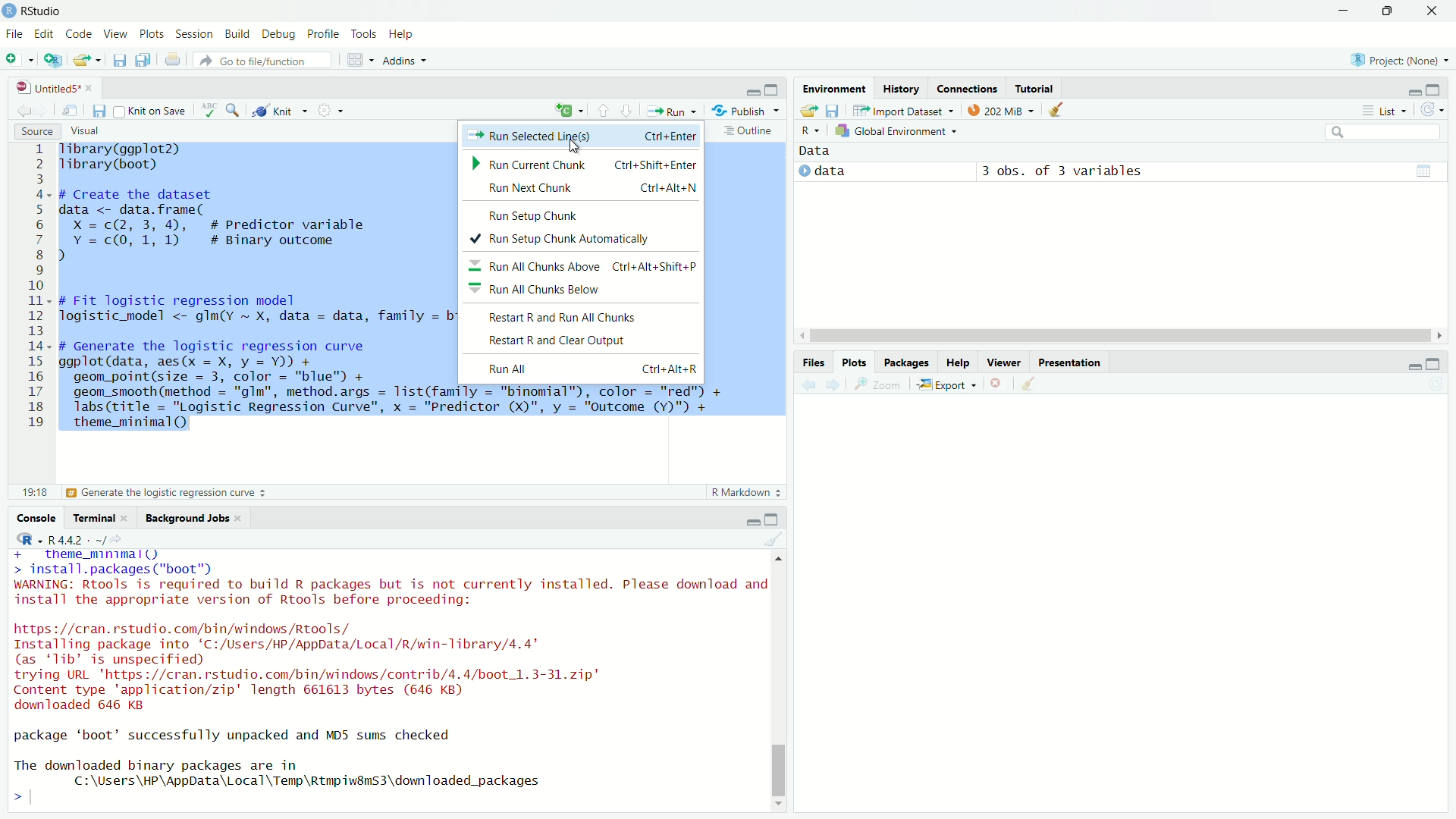  Describe the element at coordinates (42, 33) in the screenshot. I see `Edit` at that location.